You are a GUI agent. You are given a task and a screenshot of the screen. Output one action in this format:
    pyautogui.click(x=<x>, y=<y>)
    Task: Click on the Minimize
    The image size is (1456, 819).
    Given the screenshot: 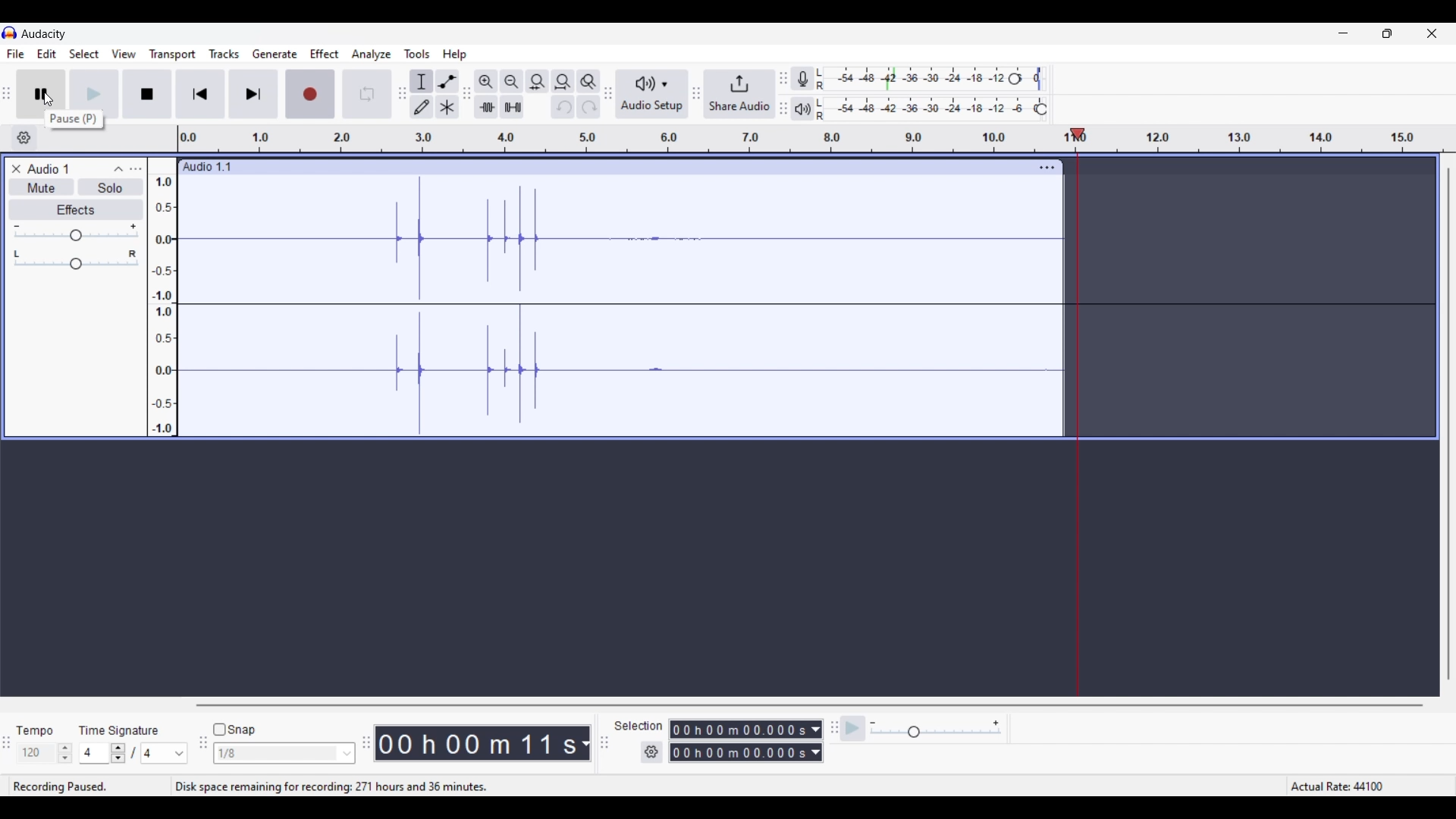 What is the action you would take?
    pyautogui.click(x=1343, y=33)
    